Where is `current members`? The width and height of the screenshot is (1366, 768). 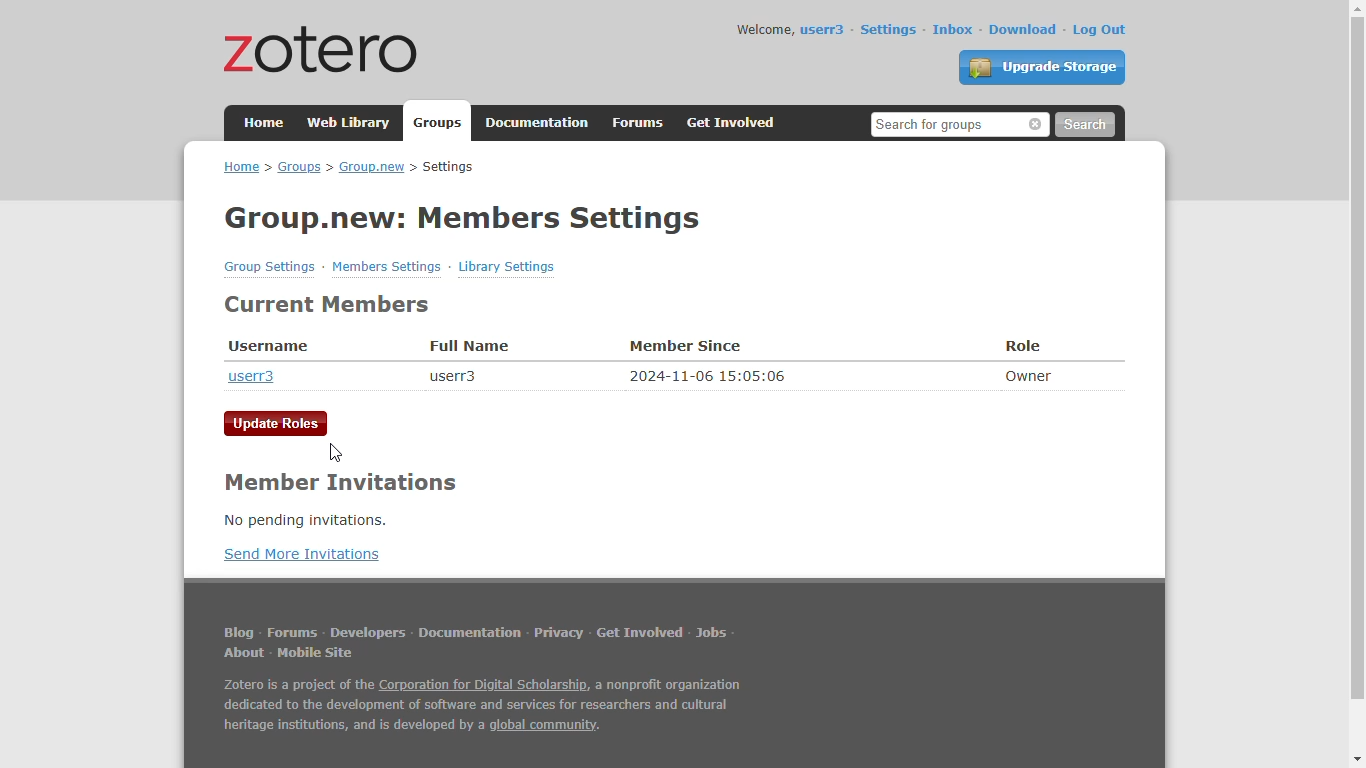
current members is located at coordinates (329, 305).